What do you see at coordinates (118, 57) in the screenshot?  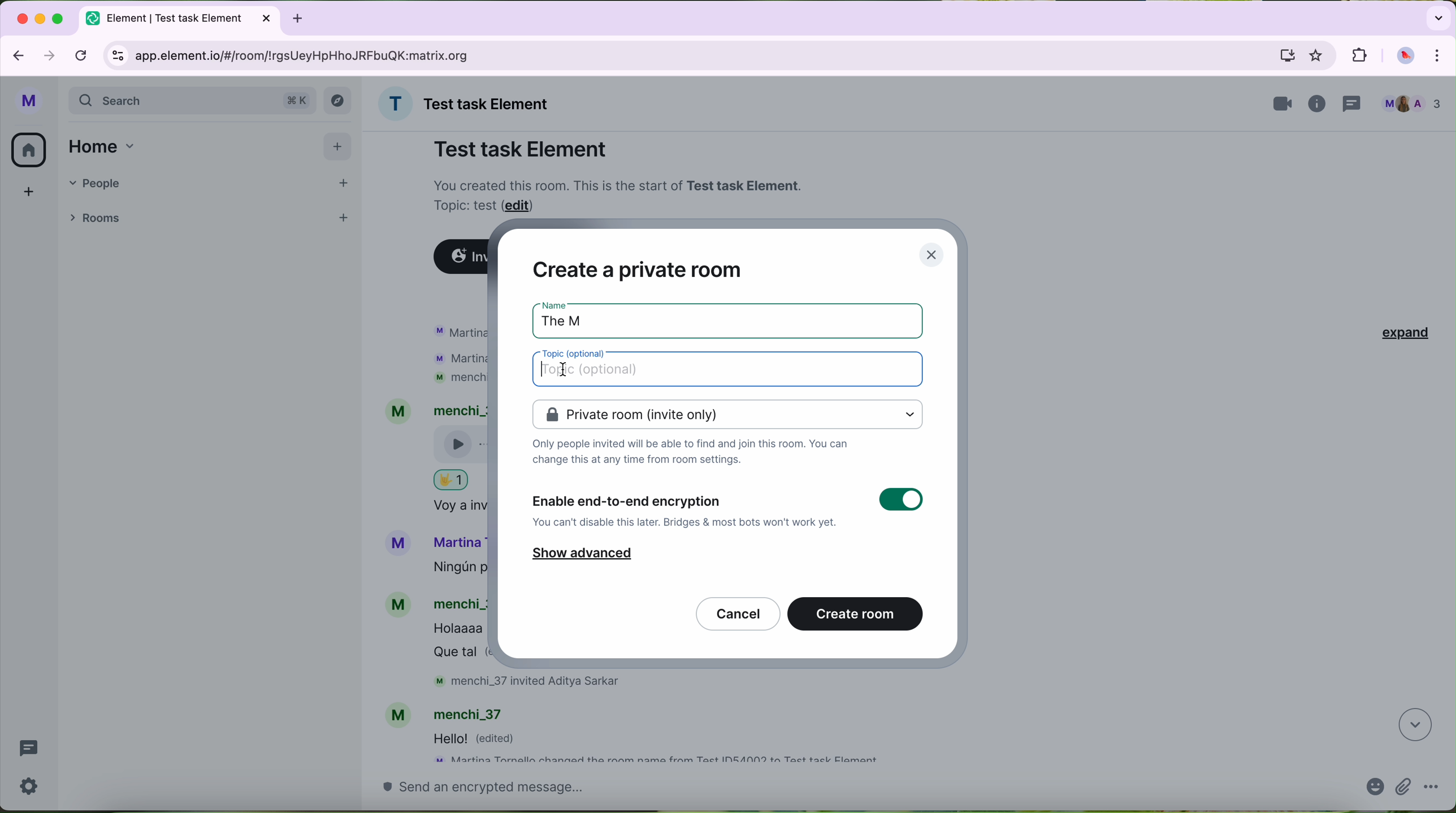 I see `controls` at bounding box center [118, 57].